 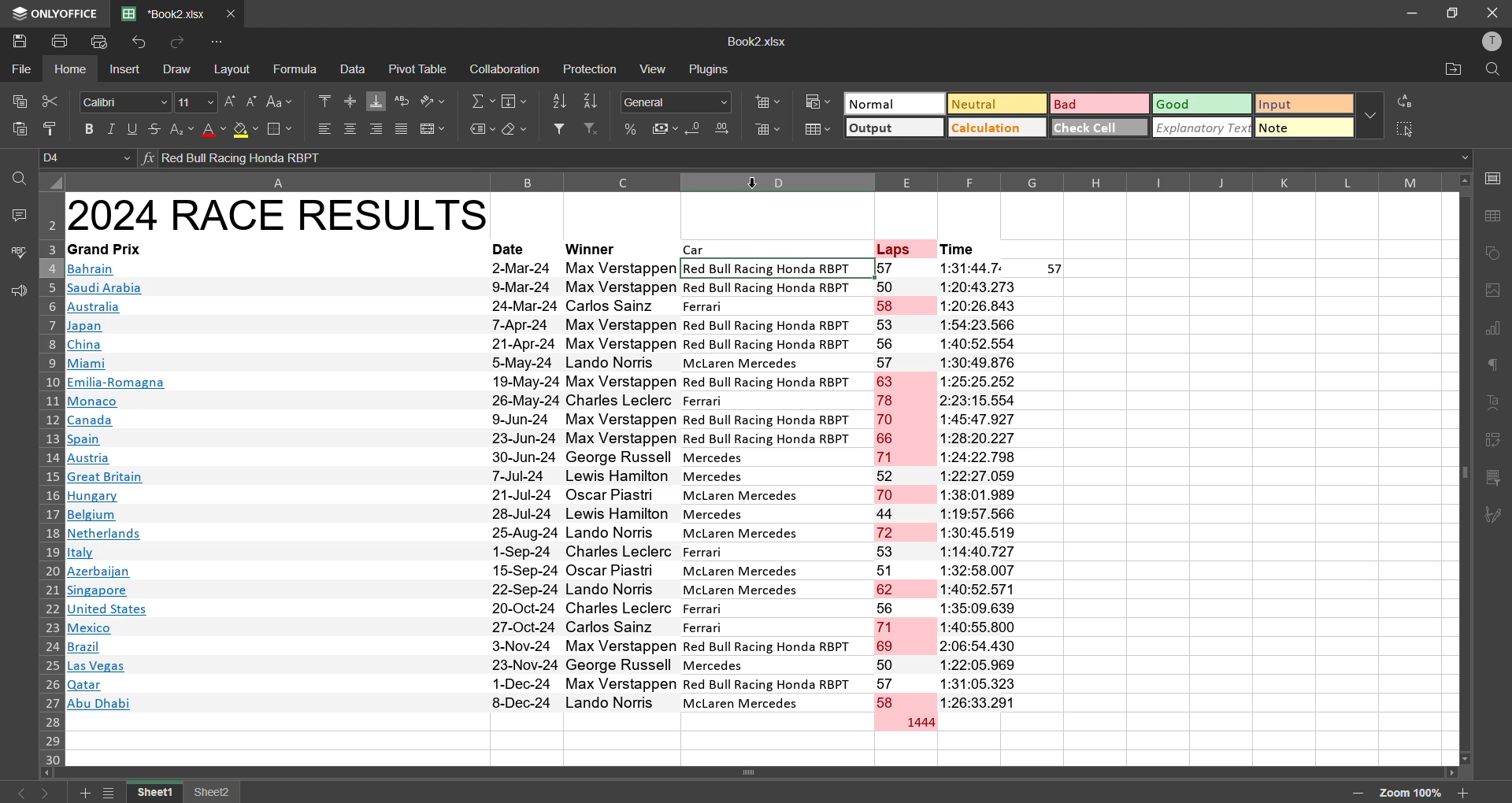 What do you see at coordinates (1494, 516) in the screenshot?
I see `signature` at bounding box center [1494, 516].